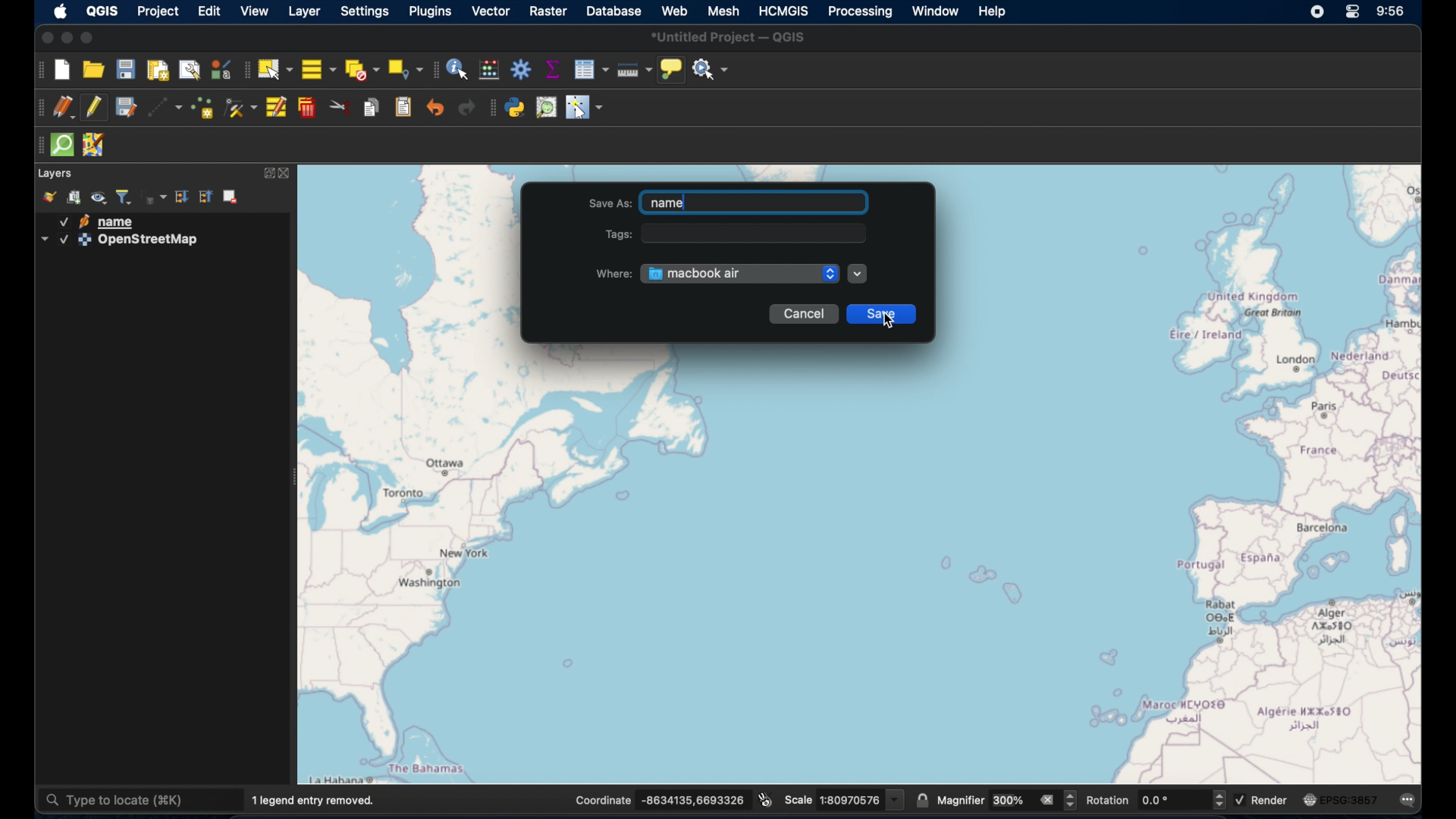 The height and width of the screenshot is (819, 1456). I want to click on web, so click(675, 11).